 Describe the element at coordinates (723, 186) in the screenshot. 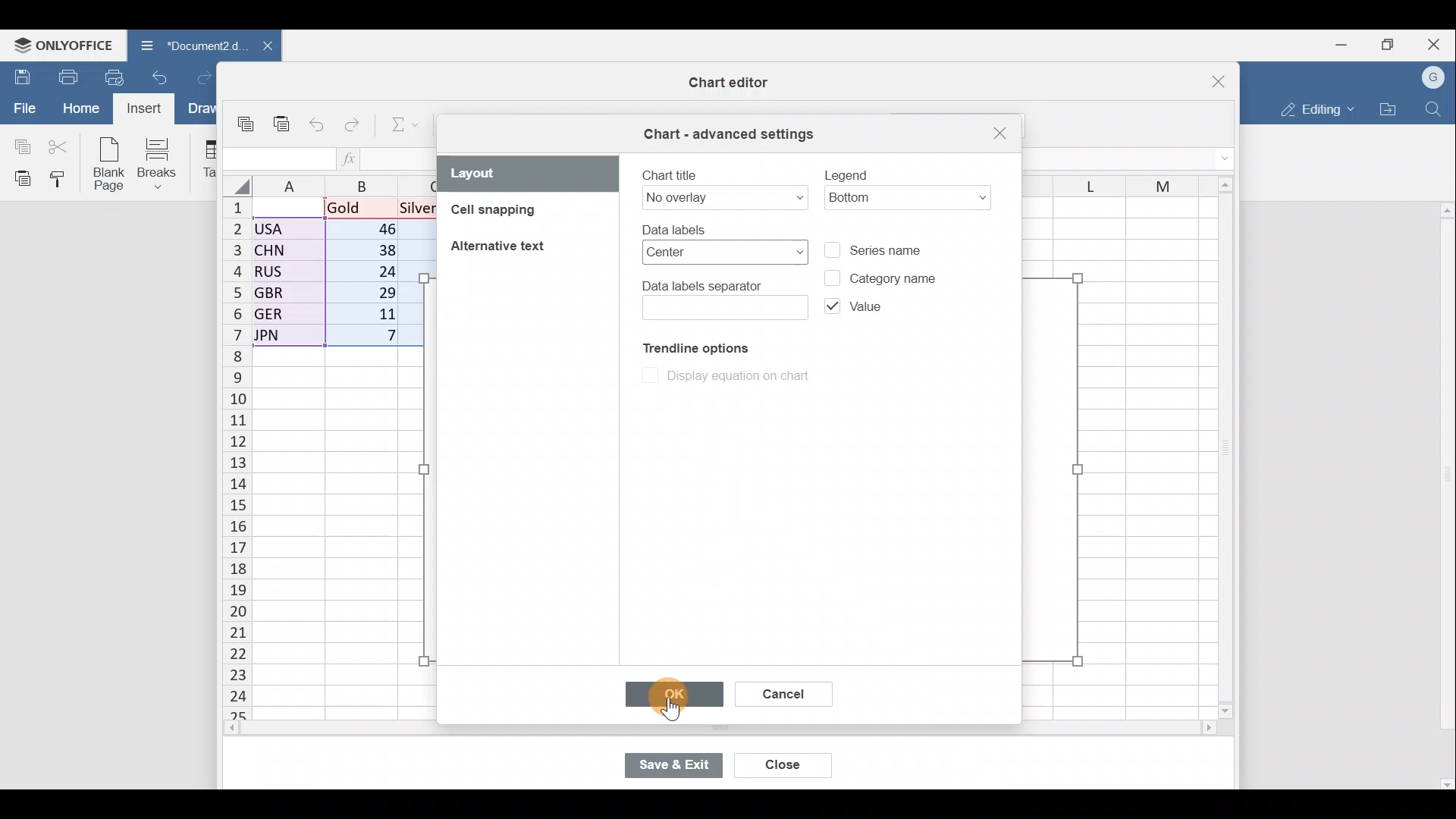

I see `Chart title` at that location.